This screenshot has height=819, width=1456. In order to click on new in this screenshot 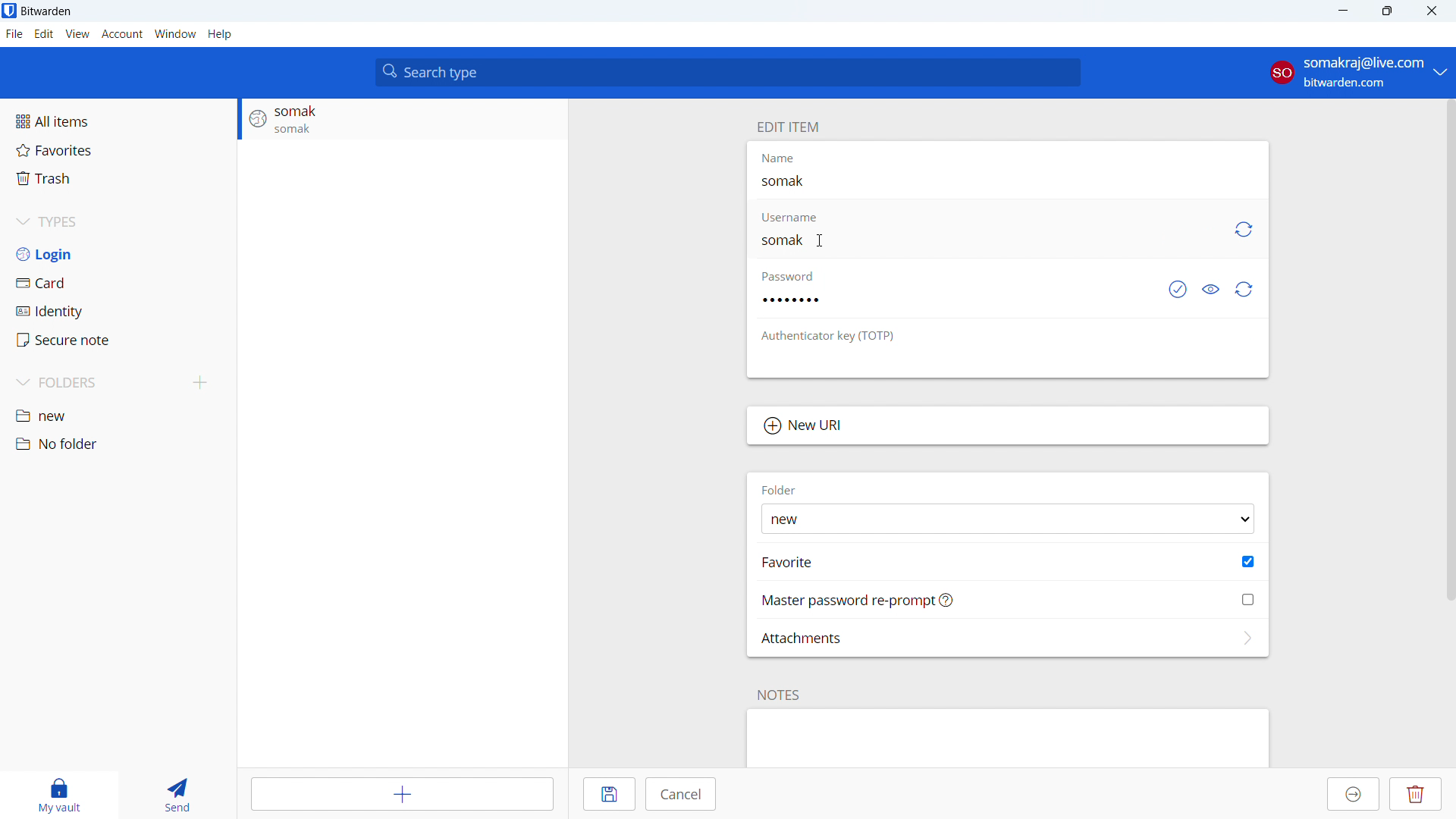, I will do `click(118, 415)`.